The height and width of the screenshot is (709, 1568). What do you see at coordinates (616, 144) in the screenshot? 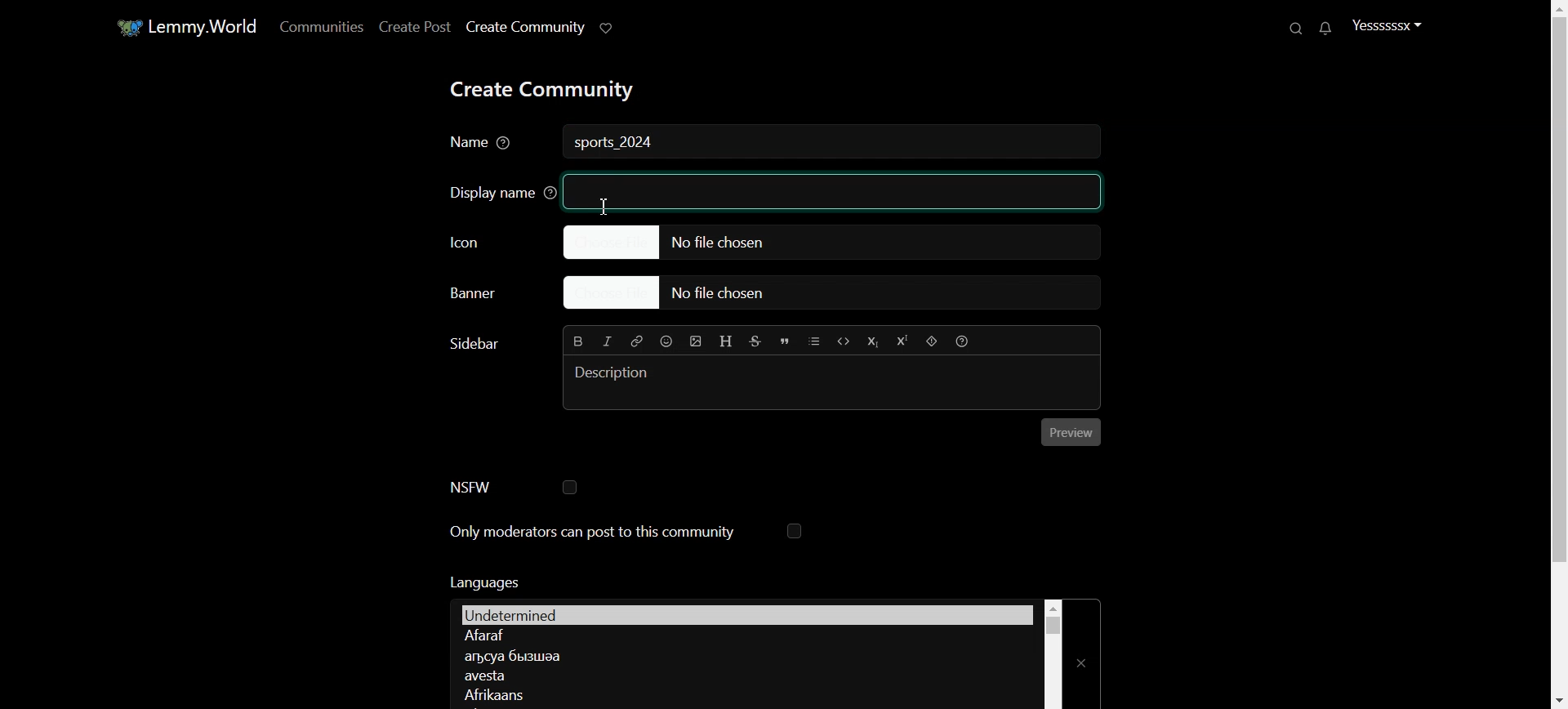
I see `Text` at bounding box center [616, 144].